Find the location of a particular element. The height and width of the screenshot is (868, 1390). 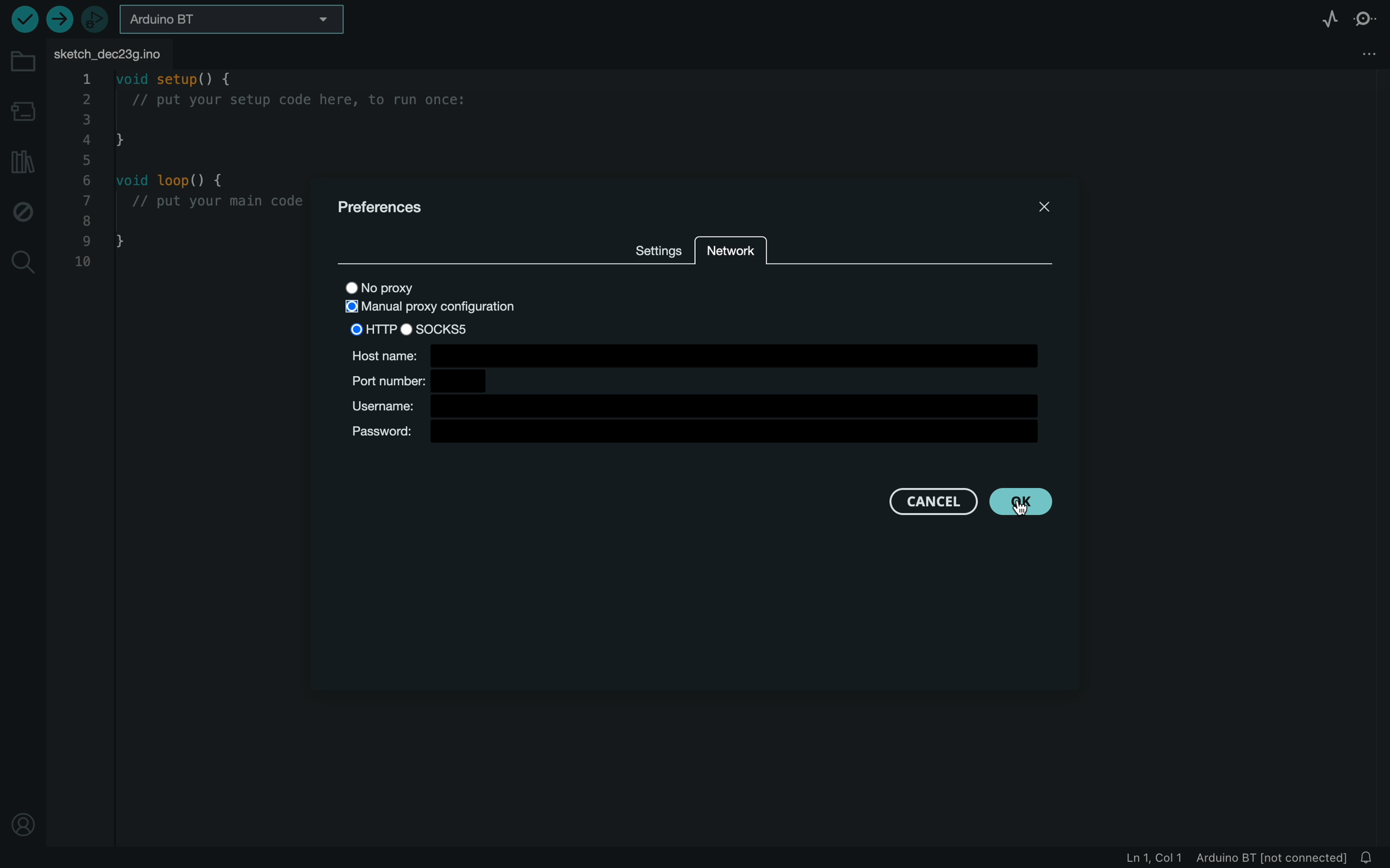

no proxy is located at coordinates (402, 288).